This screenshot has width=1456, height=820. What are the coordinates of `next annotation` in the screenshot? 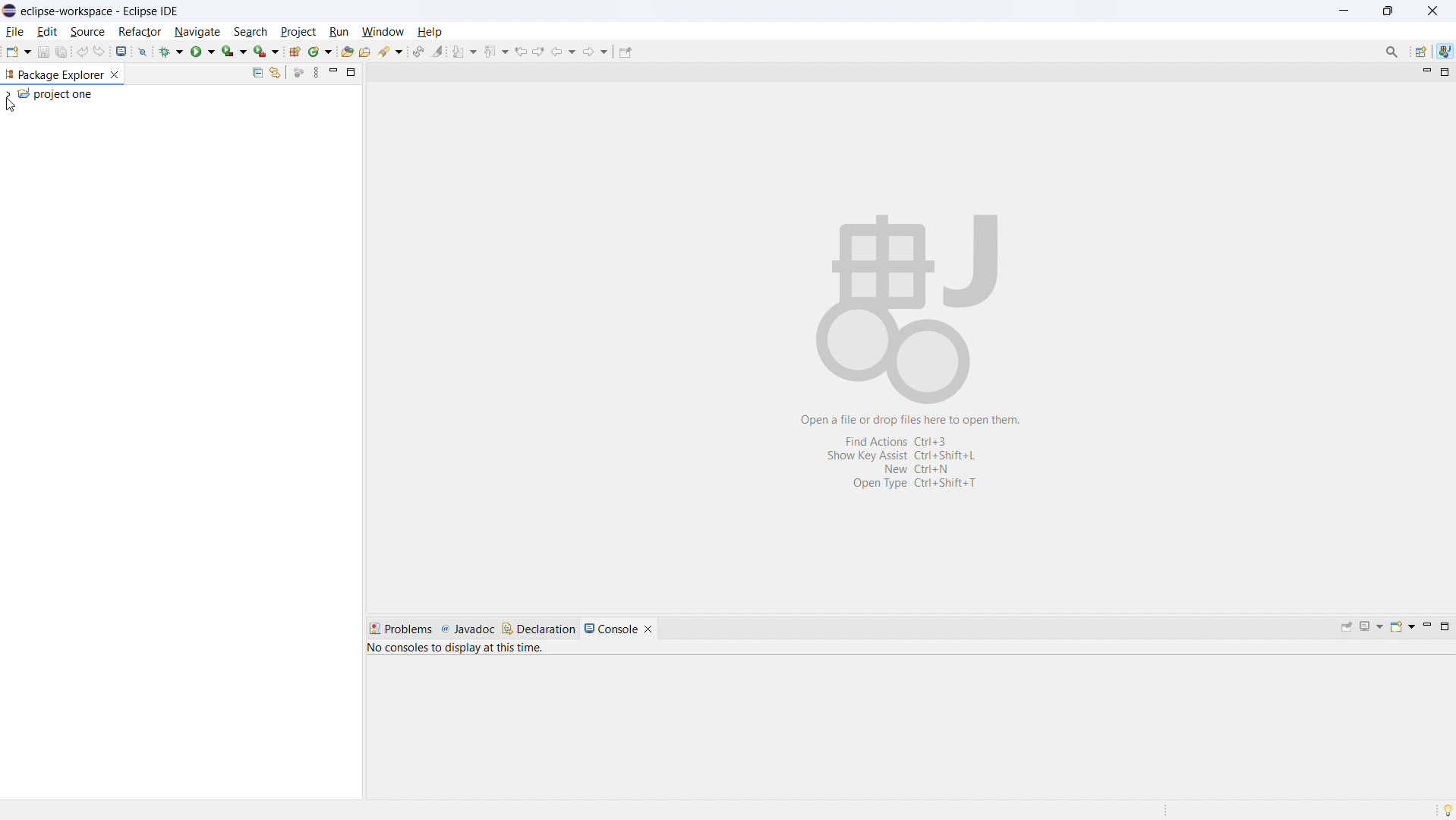 It's located at (465, 51).